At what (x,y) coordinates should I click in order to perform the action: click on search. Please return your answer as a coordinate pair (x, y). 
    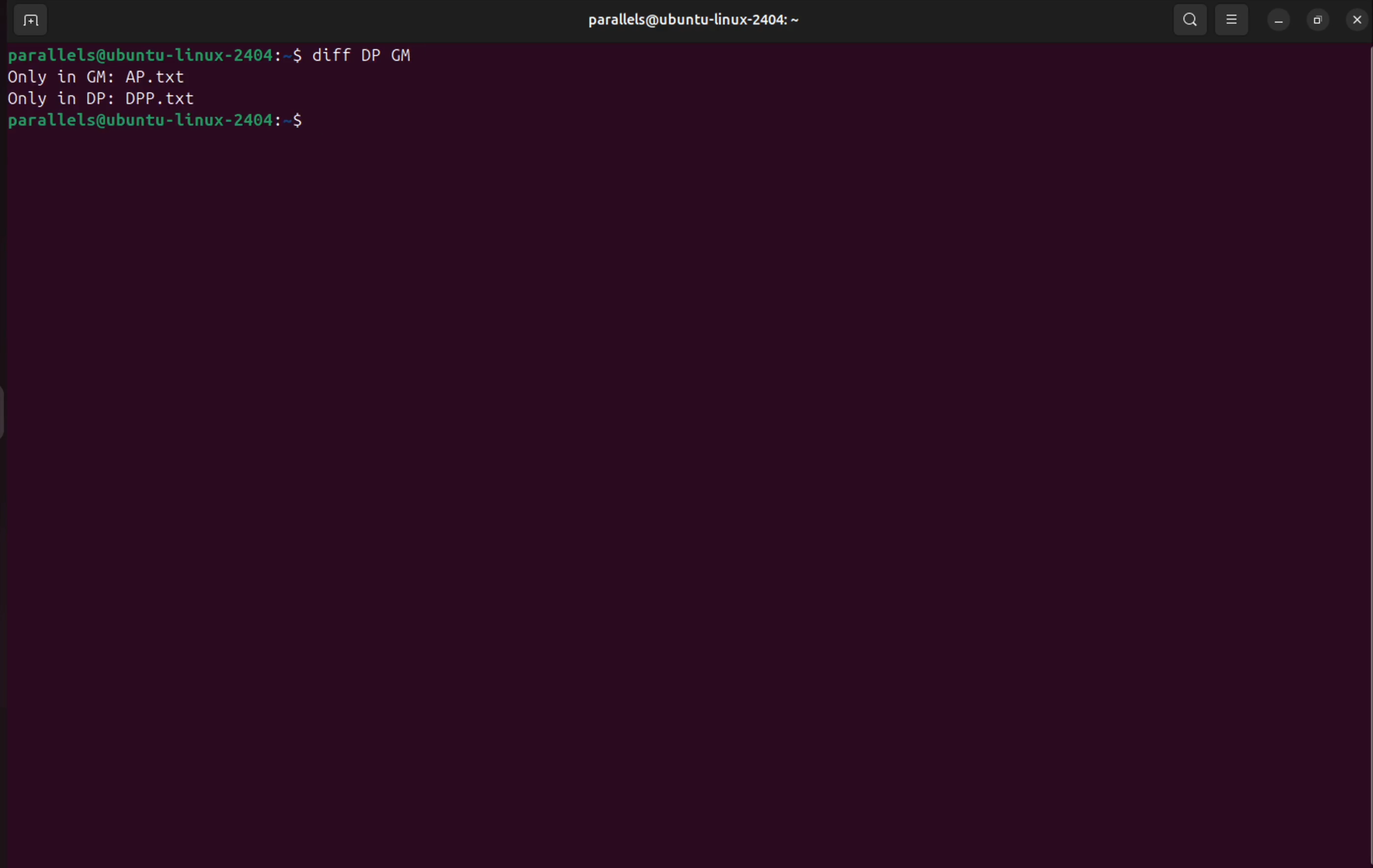
    Looking at the image, I should click on (1189, 19).